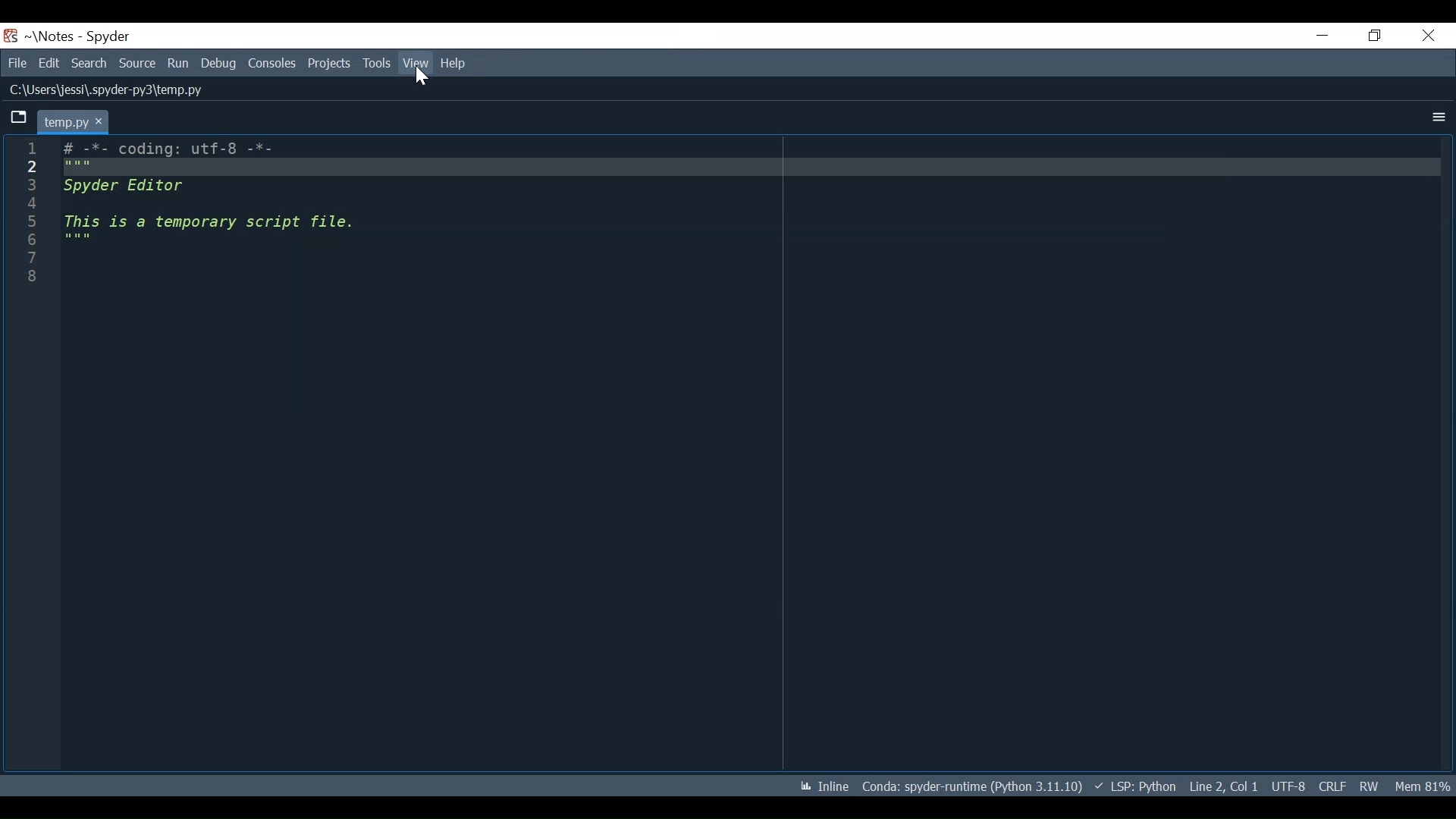 This screenshot has width=1456, height=819. Describe the element at coordinates (103, 90) in the screenshot. I see `C:\Users\jessi\.spyder-py3\temp.py` at that location.